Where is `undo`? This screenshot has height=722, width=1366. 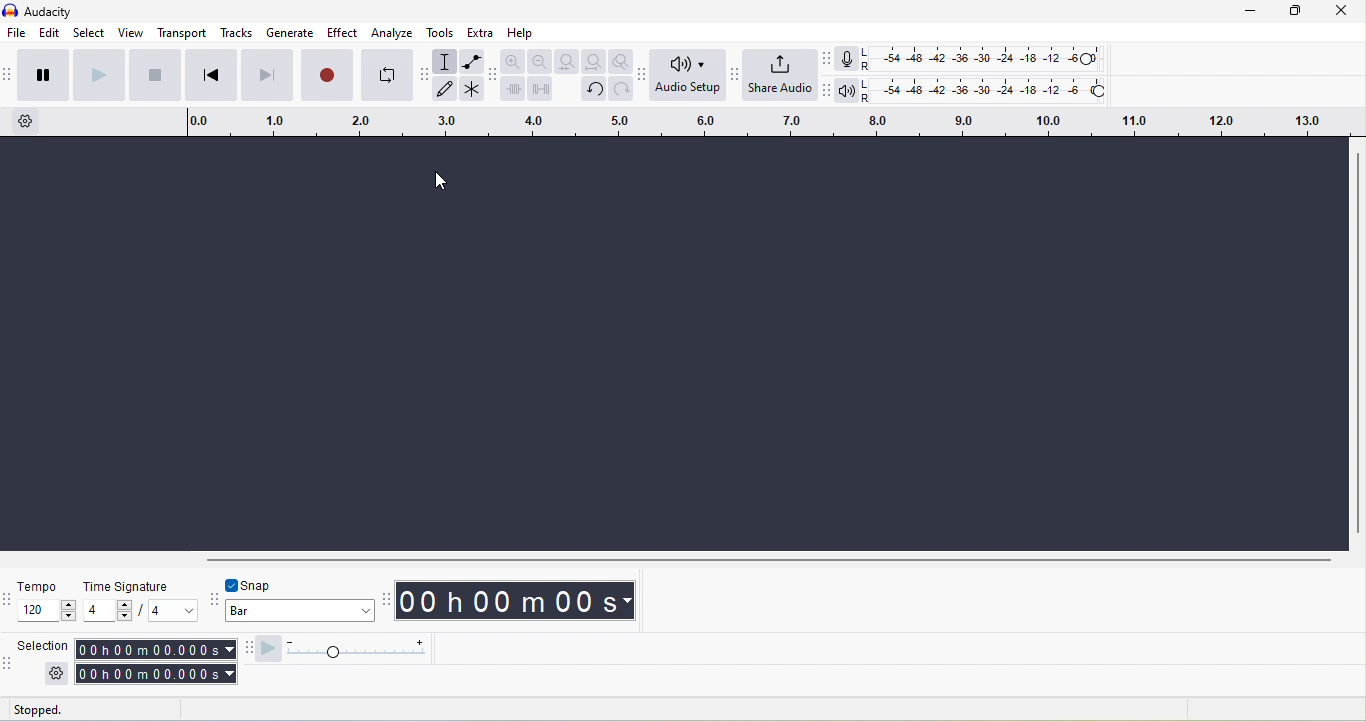
undo is located at coordinates (595, 90).